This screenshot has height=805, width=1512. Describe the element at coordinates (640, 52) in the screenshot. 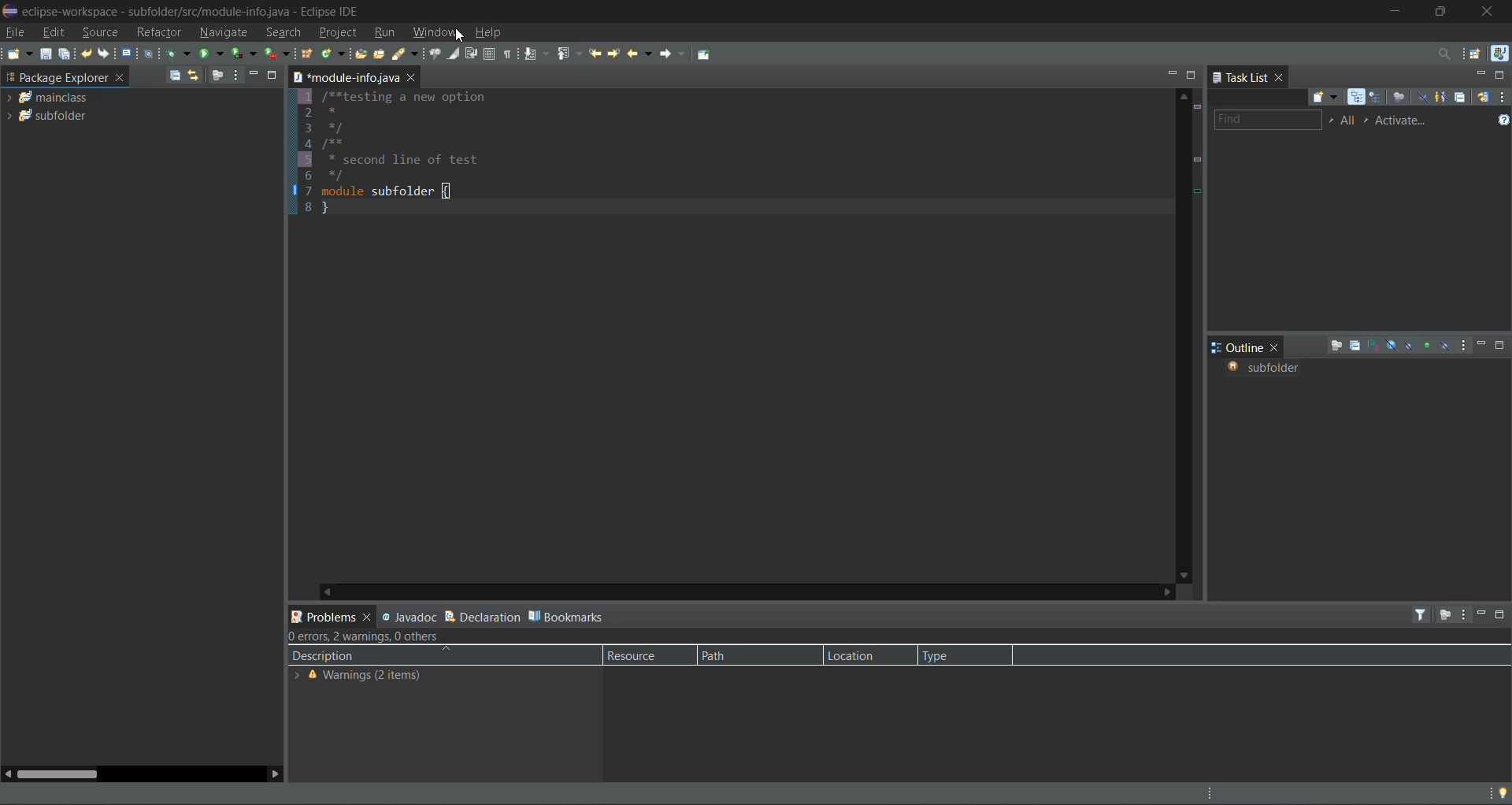

I see `back` at that location.